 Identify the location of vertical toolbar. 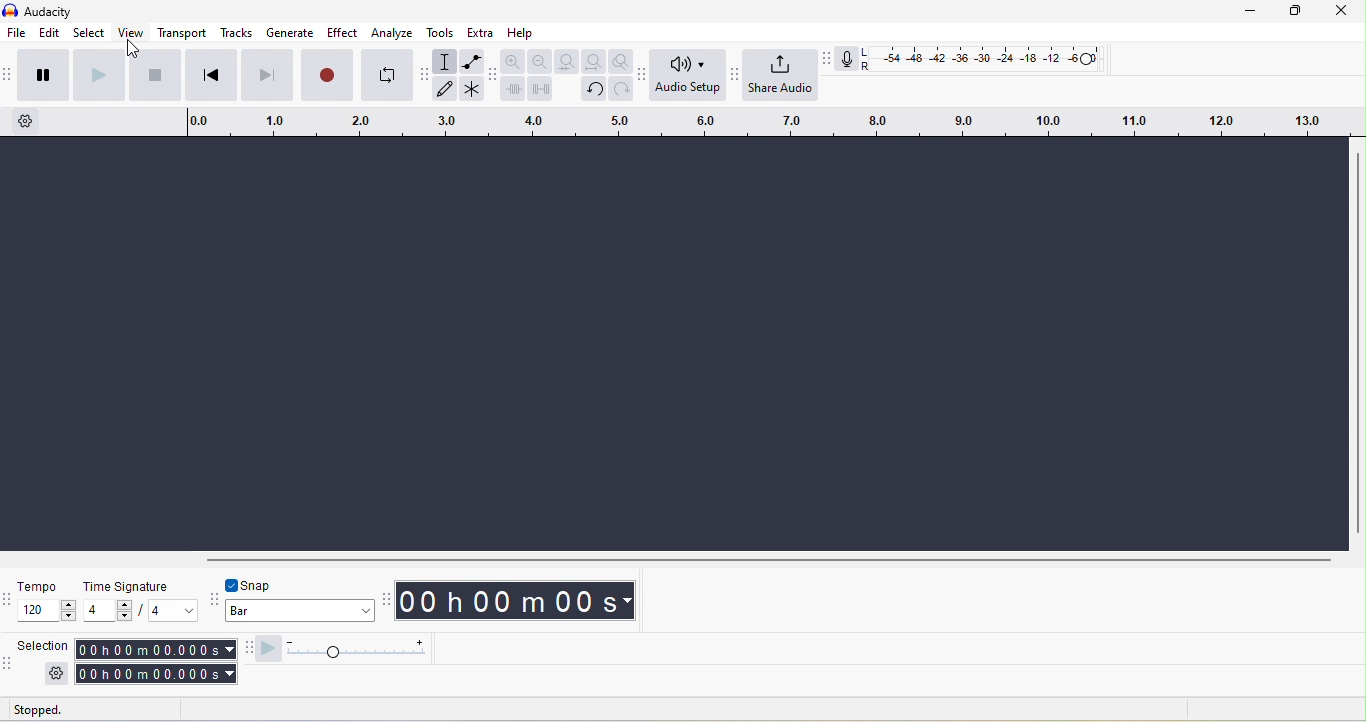
(1358, 343).